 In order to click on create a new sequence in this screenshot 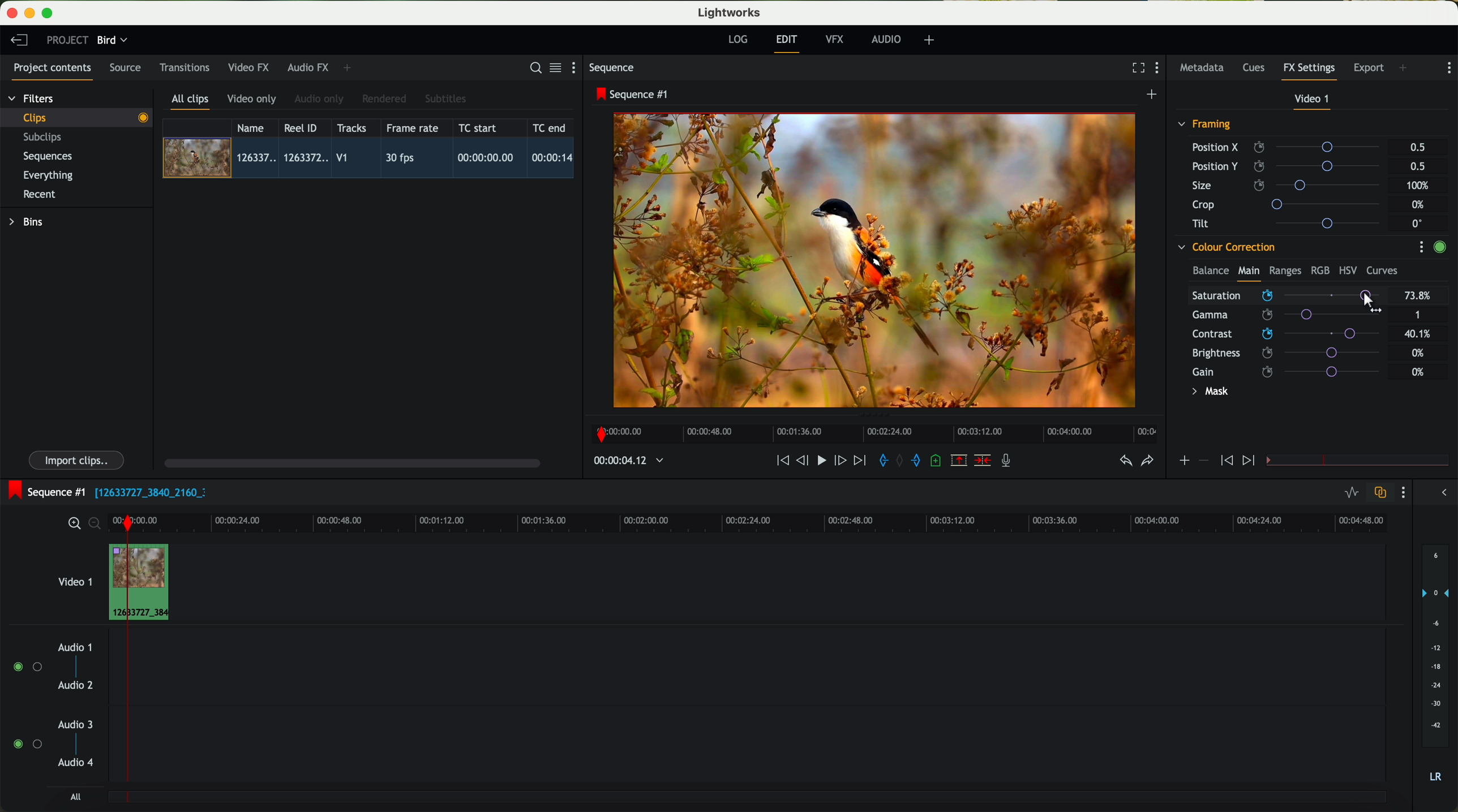, I will do `click(1153, 95)`.